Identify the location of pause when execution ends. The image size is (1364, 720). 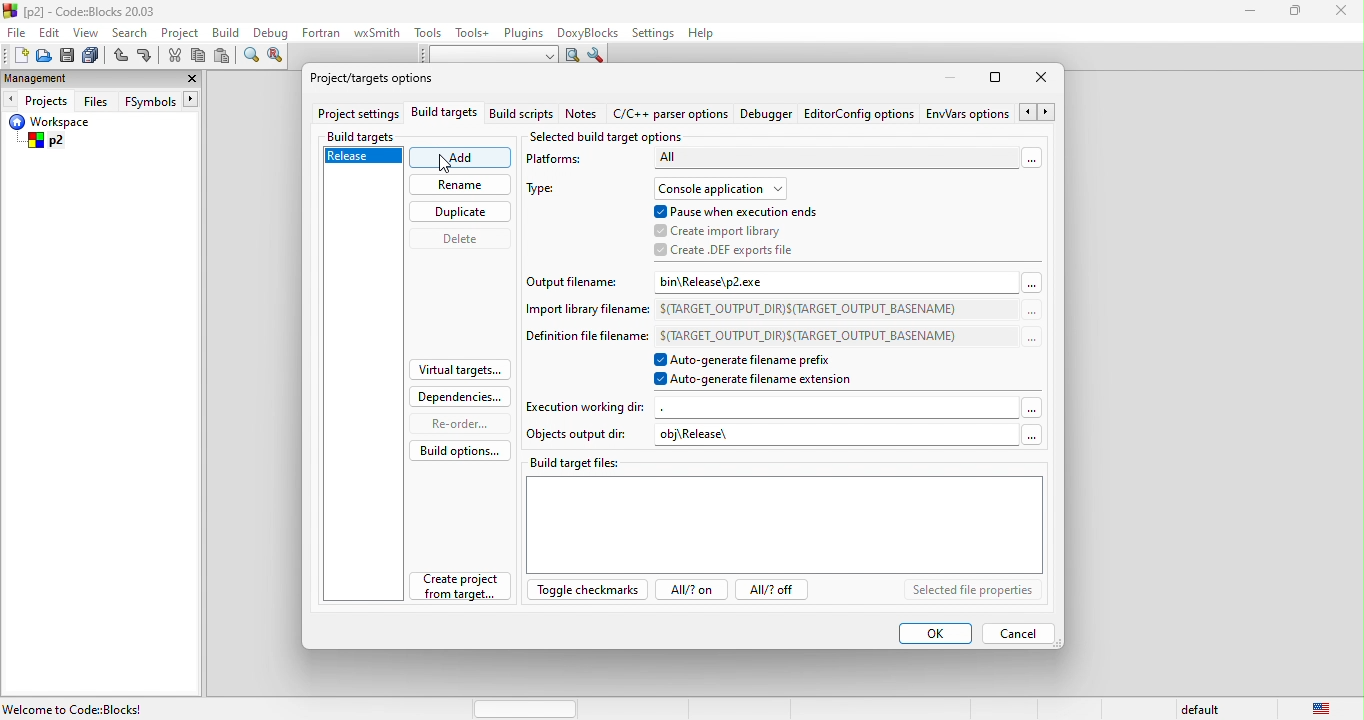
(736, 211).